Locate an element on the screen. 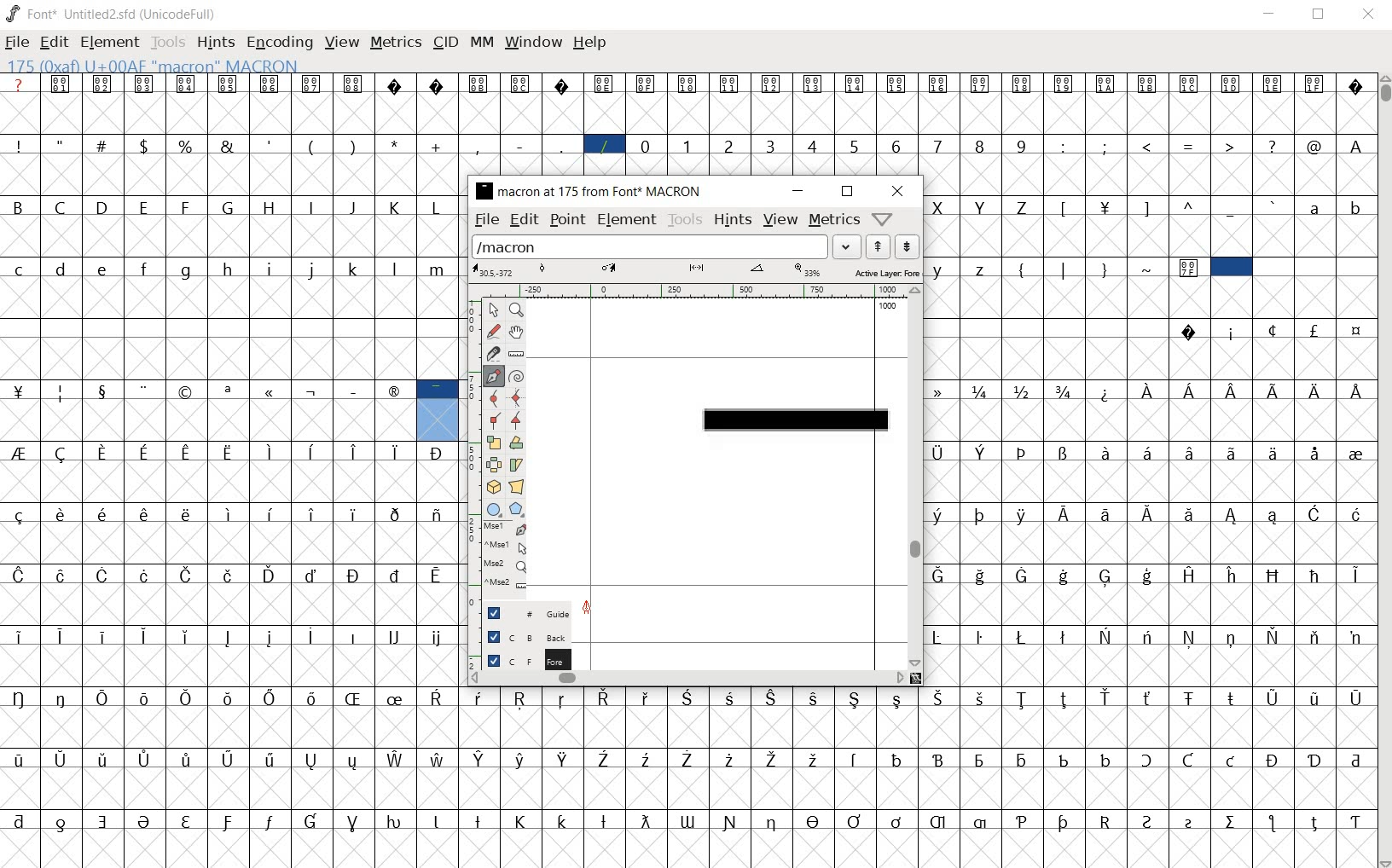 This screenshot has height=868, width=1392. Symbol is located at coordinates (146, 451).